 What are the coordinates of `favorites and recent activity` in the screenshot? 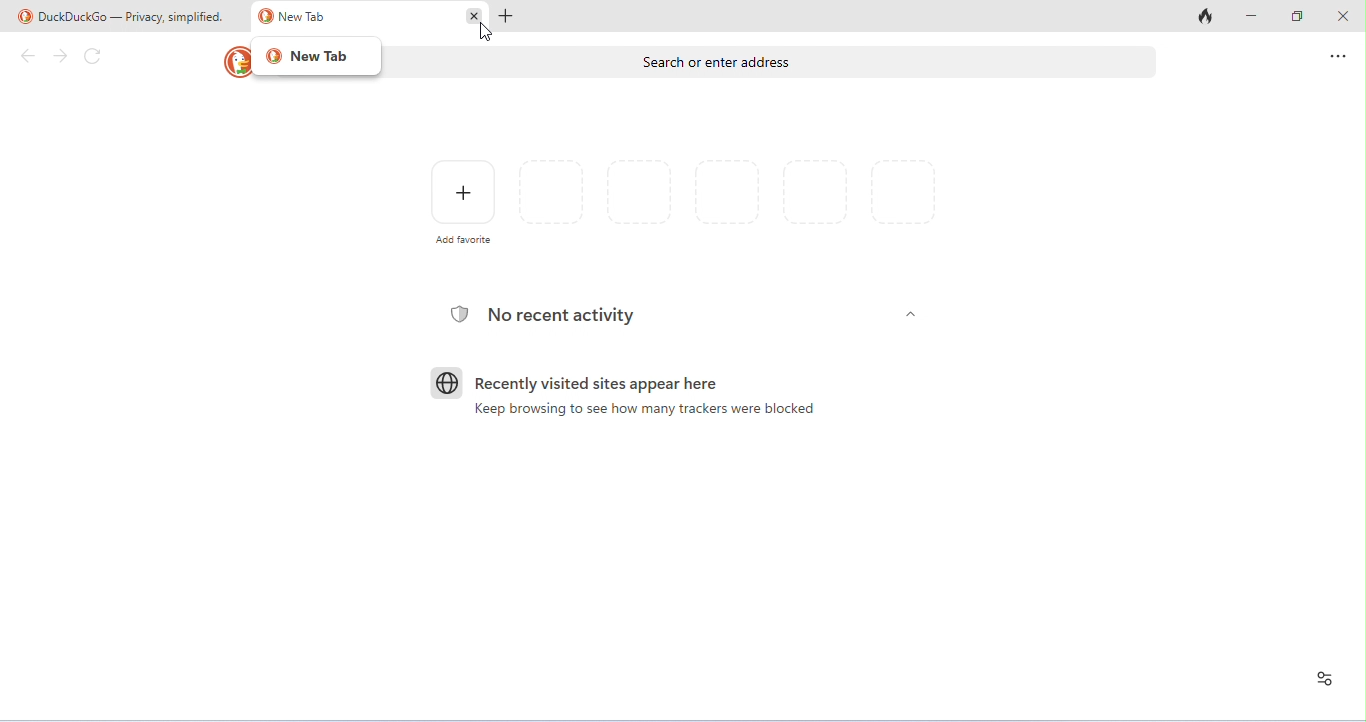 It's located at (1326, 678).